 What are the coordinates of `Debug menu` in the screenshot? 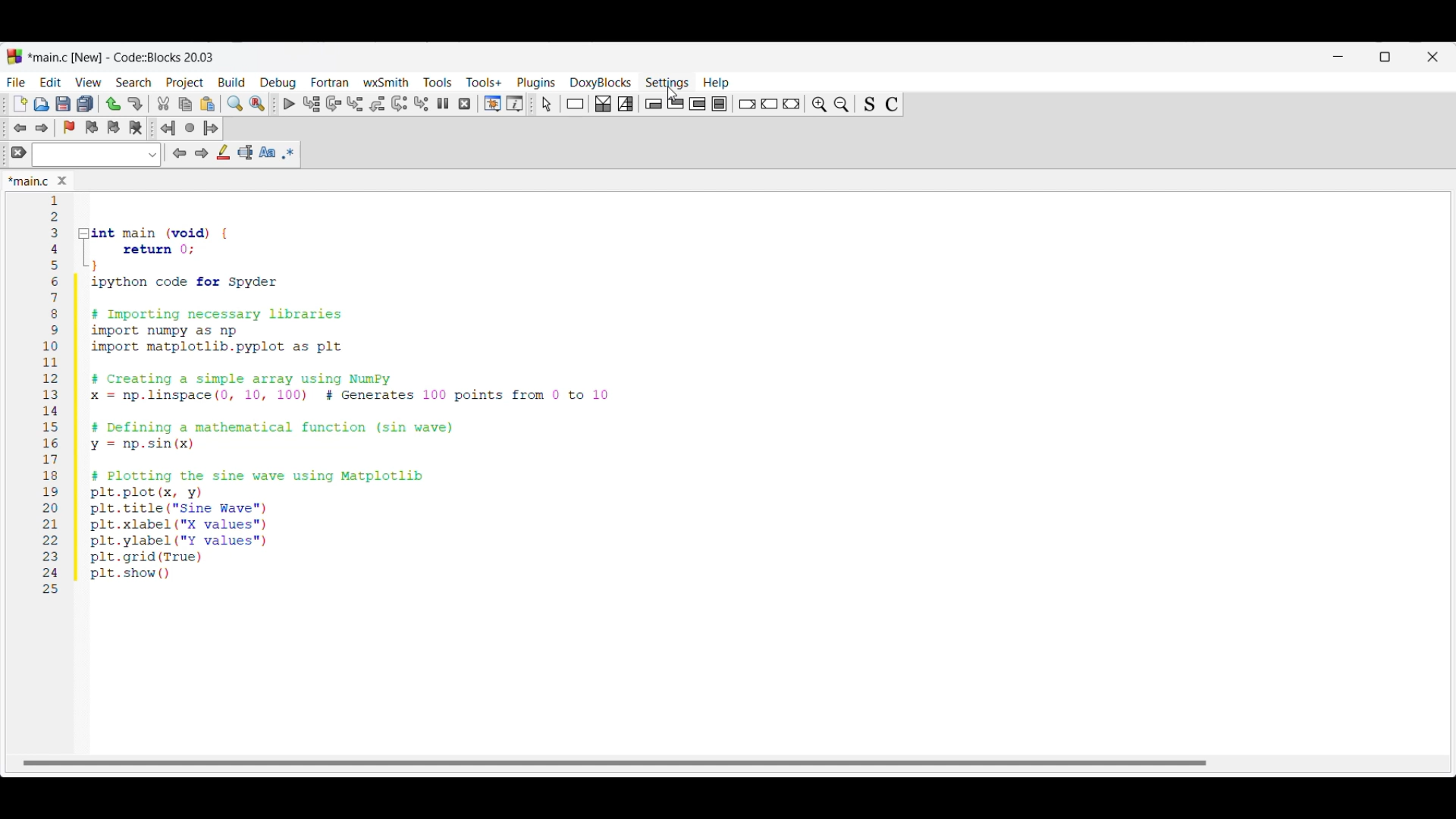 It's located at (278, 83).